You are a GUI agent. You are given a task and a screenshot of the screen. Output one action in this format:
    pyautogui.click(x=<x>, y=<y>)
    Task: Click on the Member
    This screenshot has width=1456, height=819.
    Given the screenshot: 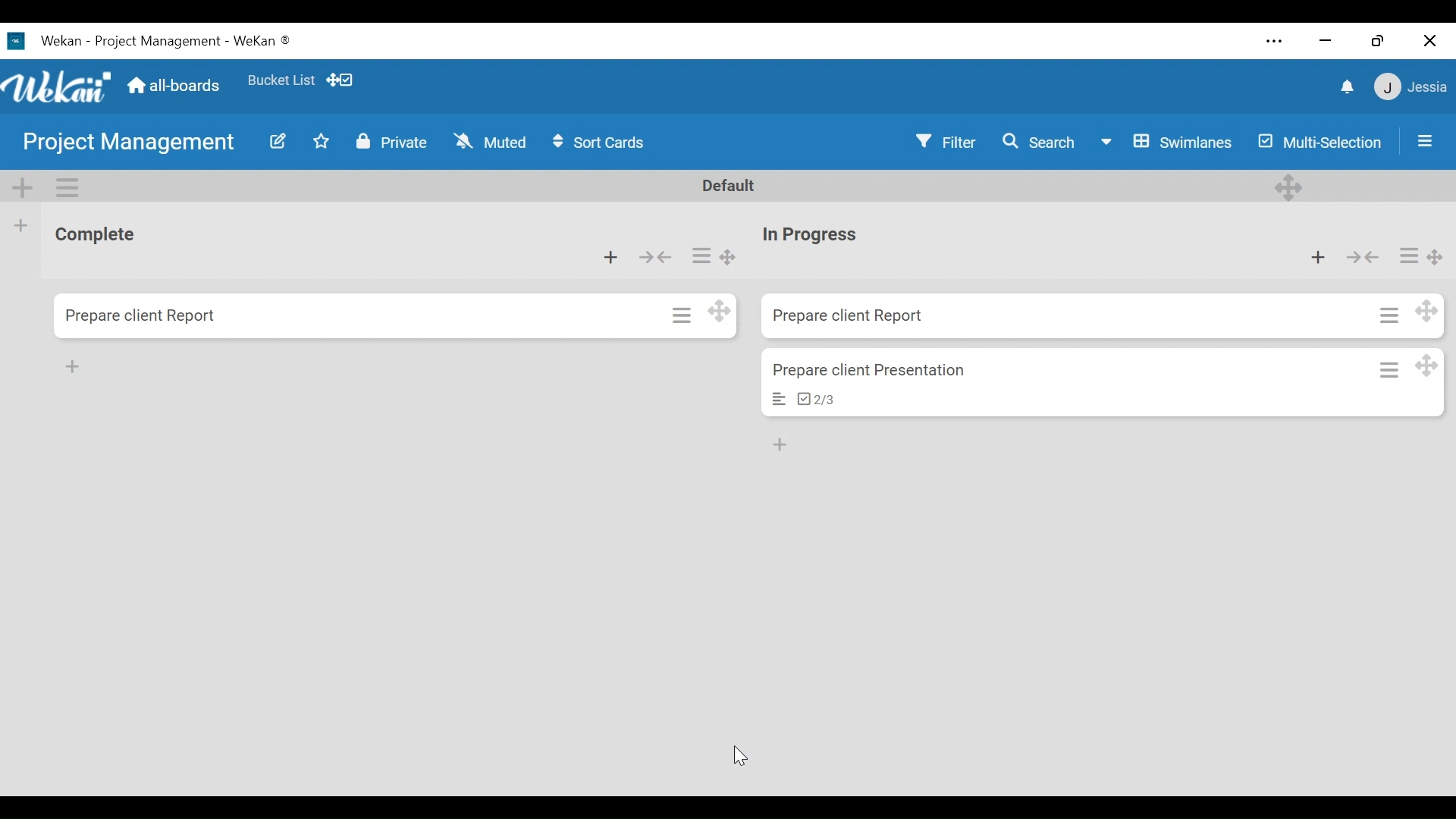 What is the action you would take?
    pyautogui.click(x=1411, y=87)
    